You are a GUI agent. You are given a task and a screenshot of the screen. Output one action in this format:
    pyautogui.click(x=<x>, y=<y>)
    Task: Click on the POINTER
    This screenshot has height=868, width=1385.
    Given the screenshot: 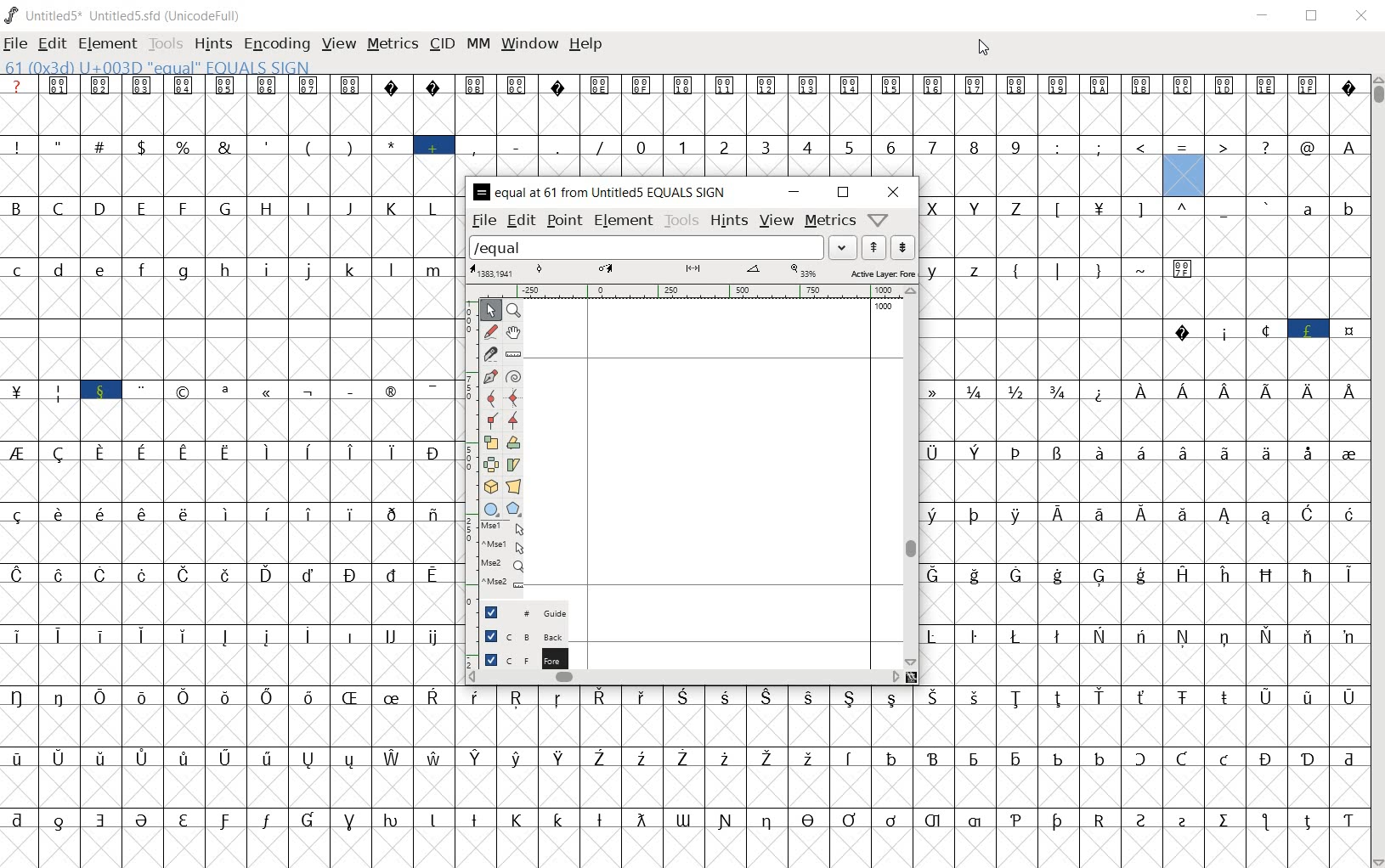 What is the action you would take?
    pyautogui.click(x=490, y=309)
    